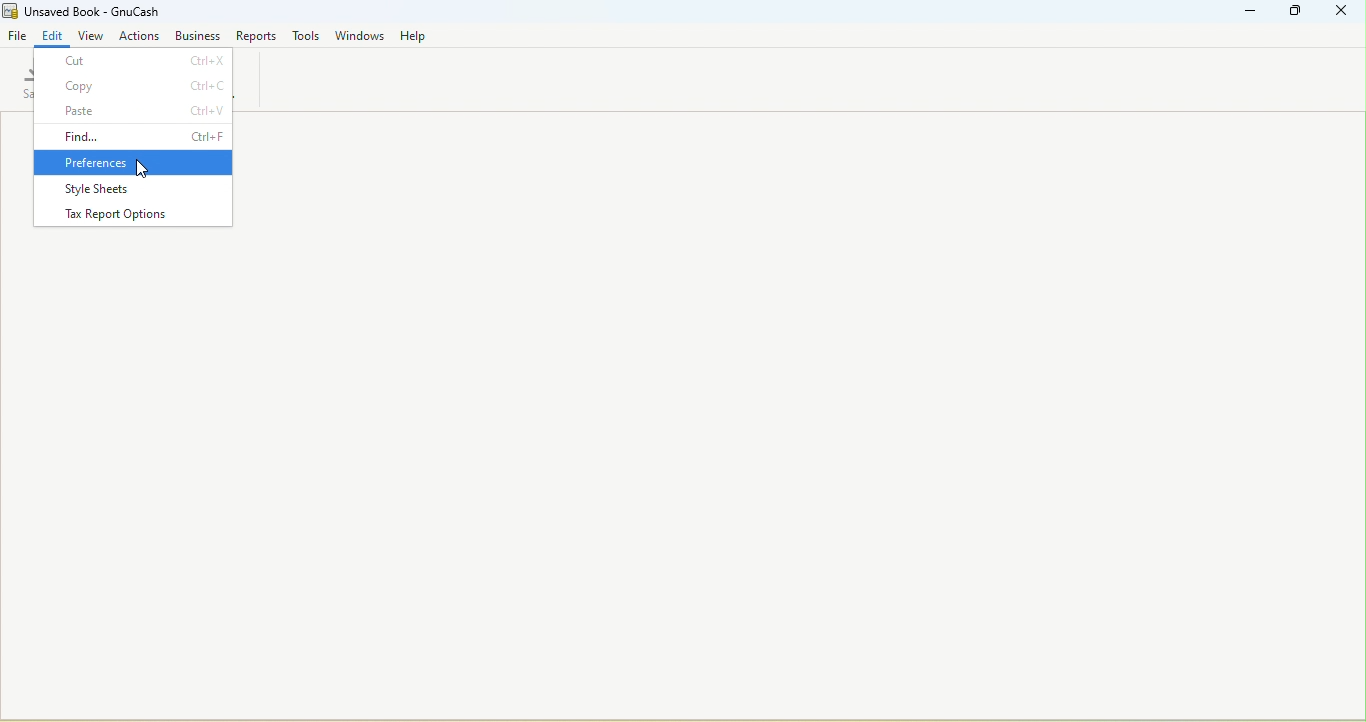 This screenshot has height=722, width=1366. I want to click on Tax report options, so click(133, 213).